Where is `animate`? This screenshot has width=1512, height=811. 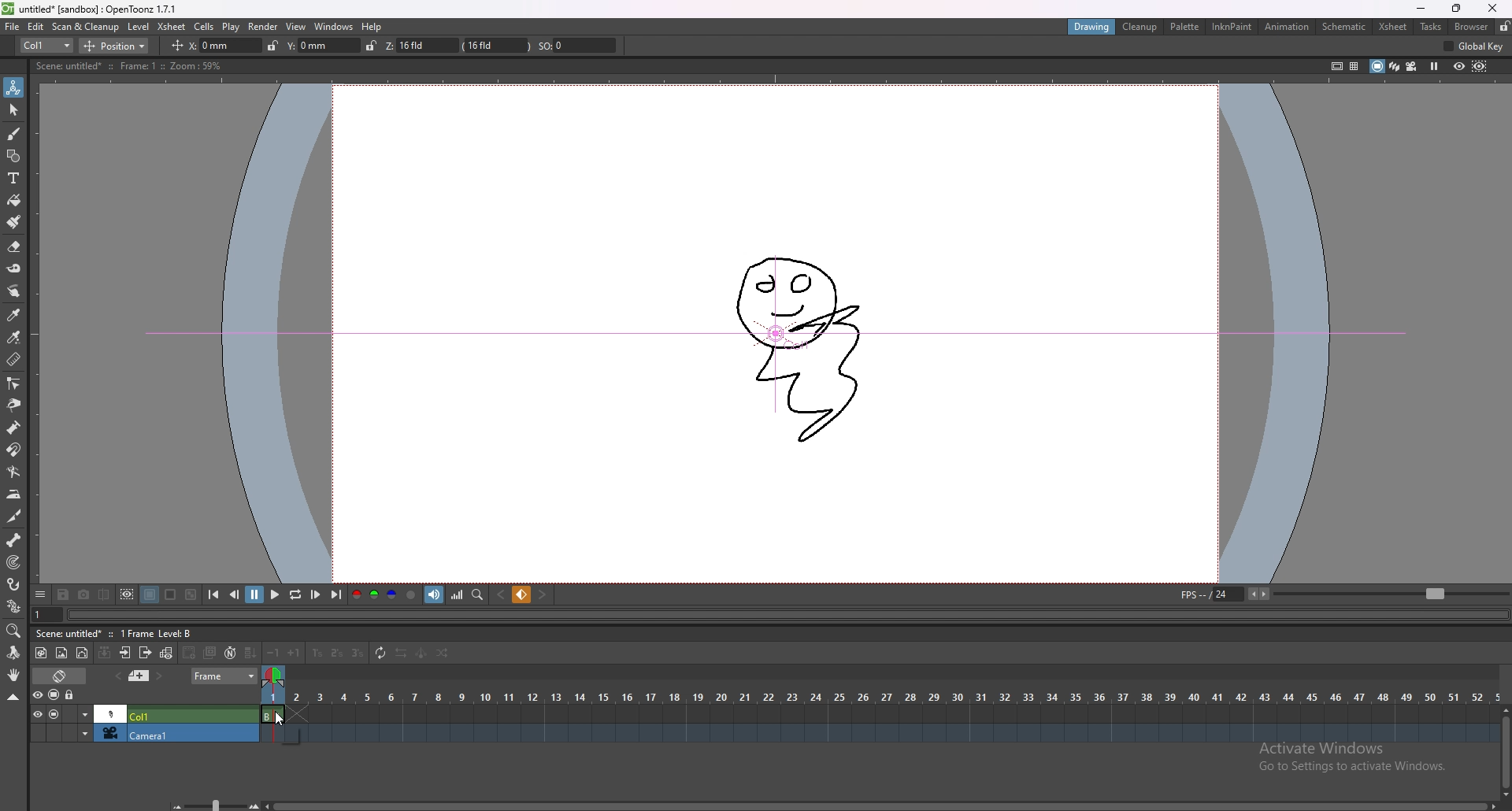 animate is located at coordinates (14, 87).